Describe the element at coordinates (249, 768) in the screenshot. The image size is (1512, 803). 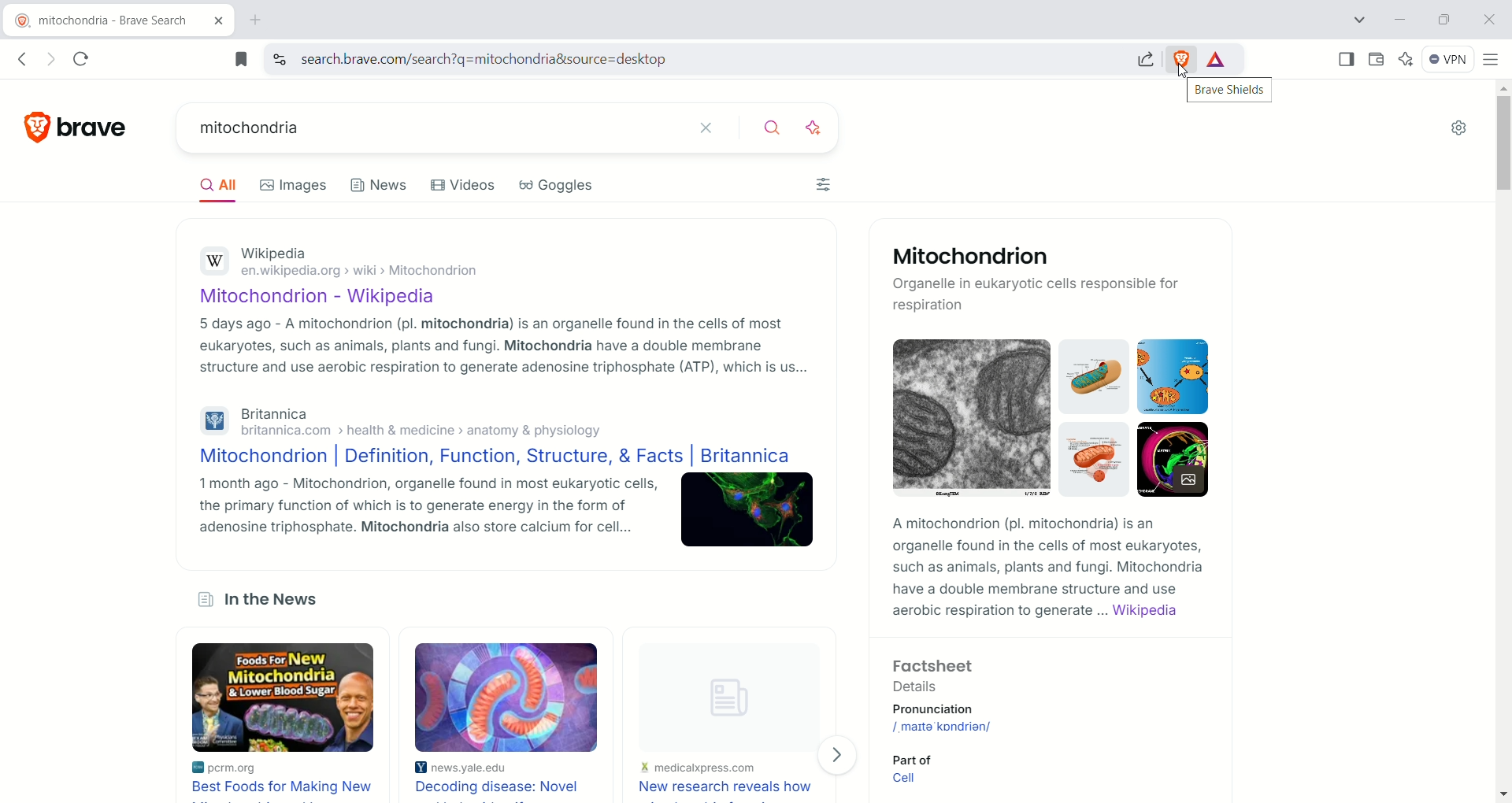
I see `pcrm.org` at that location.